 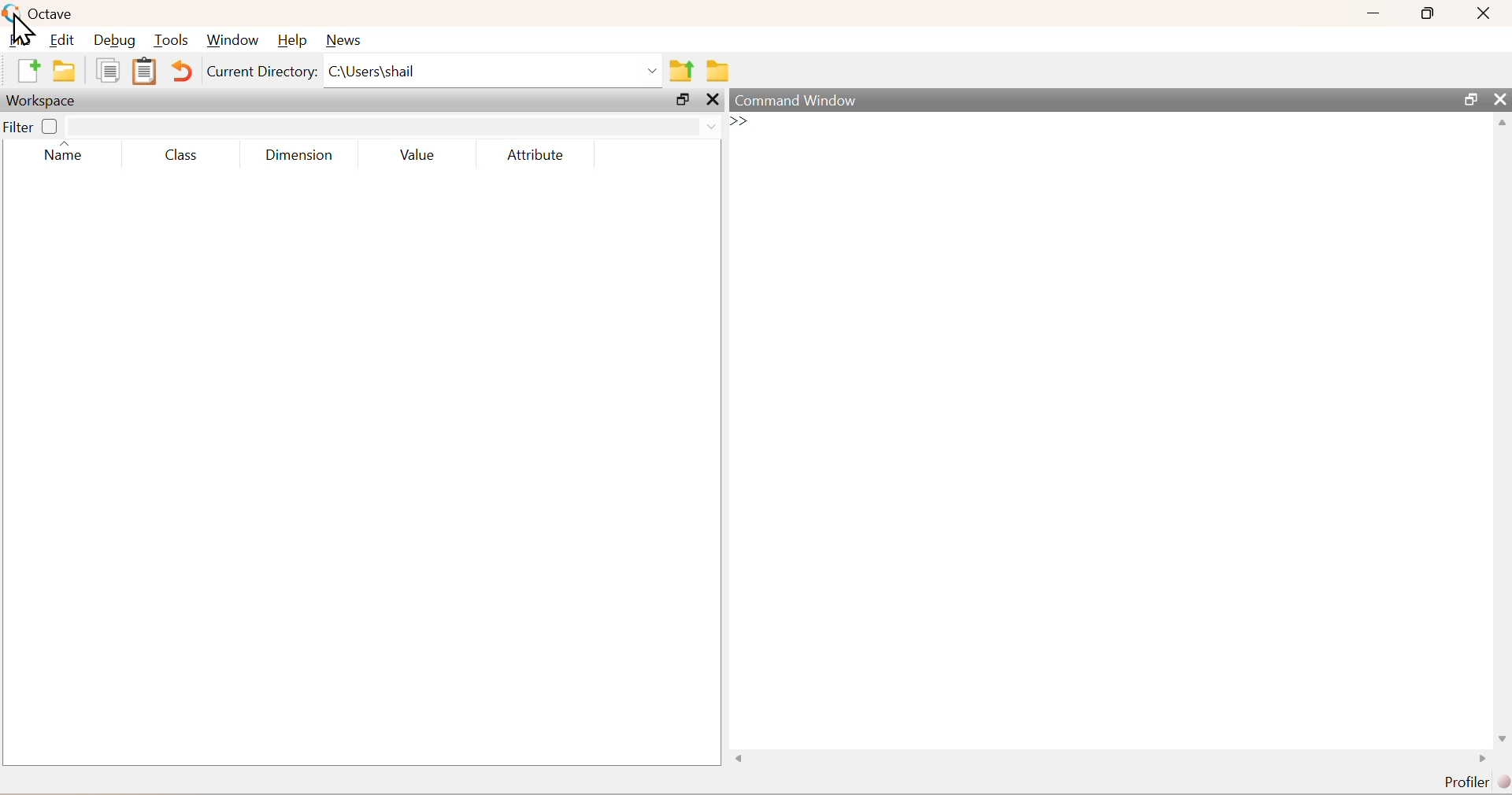 I want to click on down, so click(x=712, y=127).